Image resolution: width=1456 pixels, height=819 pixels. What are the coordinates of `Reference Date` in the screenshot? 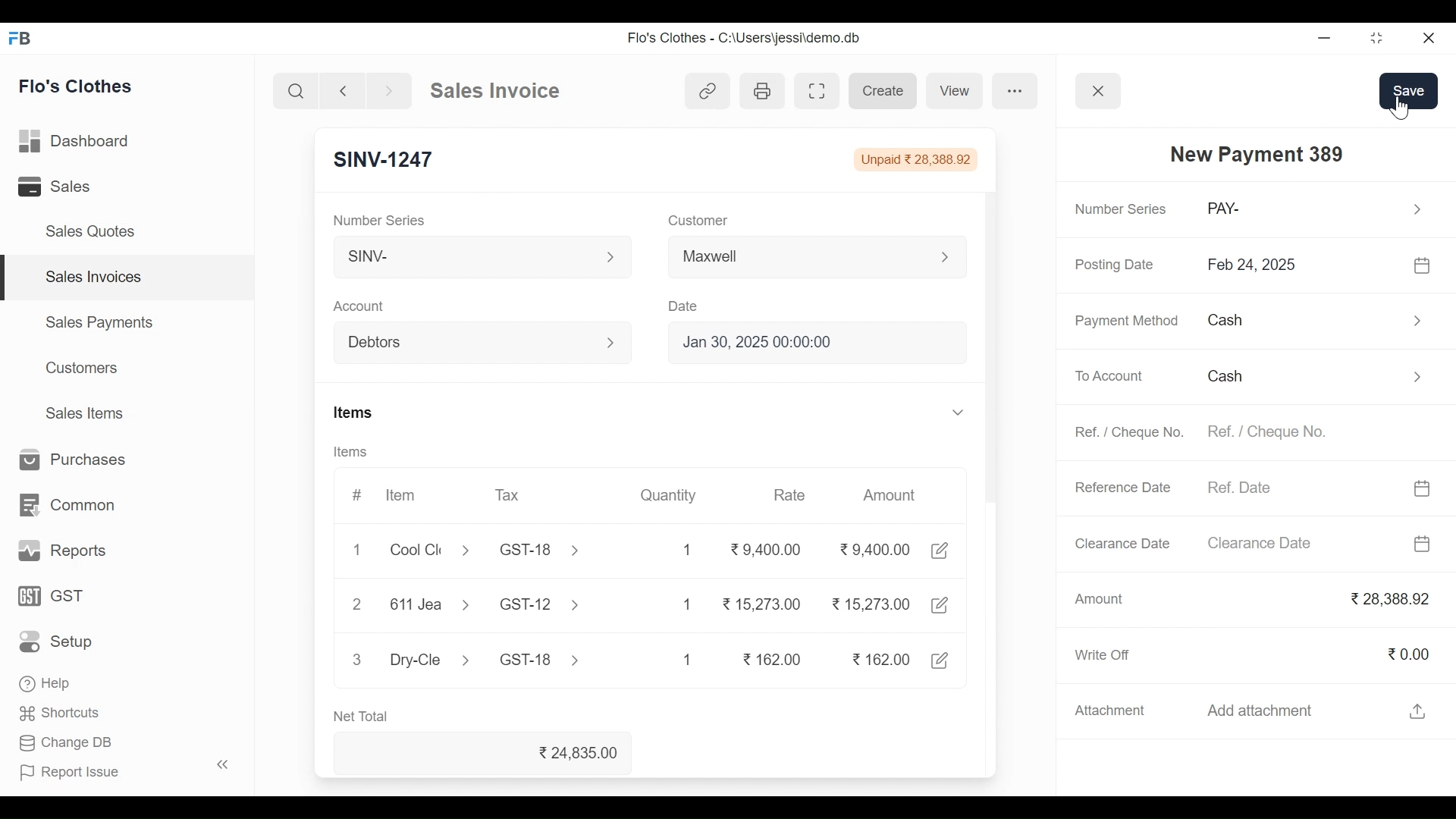 It's located at (1125, 489).